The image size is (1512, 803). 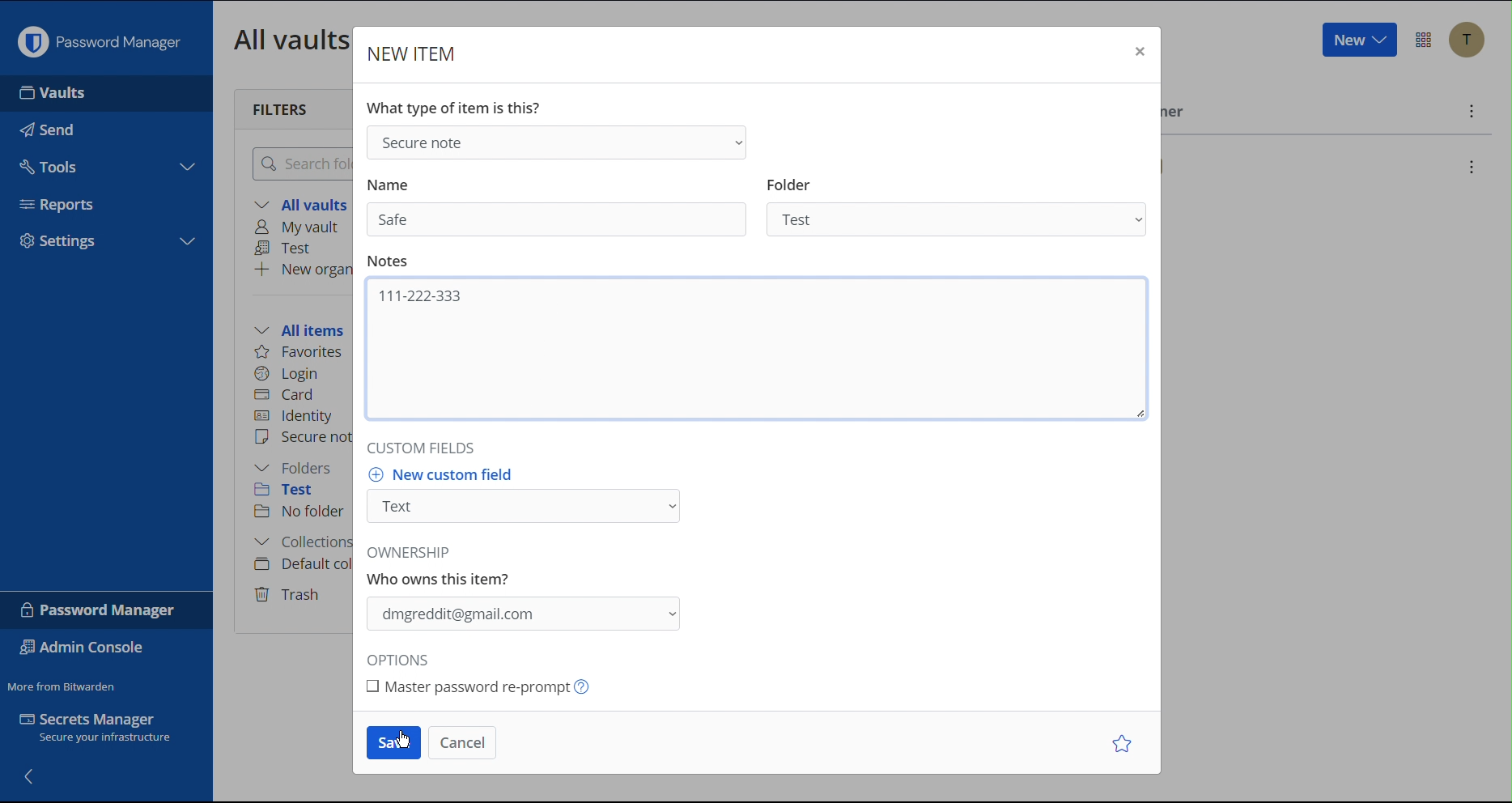 I want to click on New organization, so click(x=302, y=269).